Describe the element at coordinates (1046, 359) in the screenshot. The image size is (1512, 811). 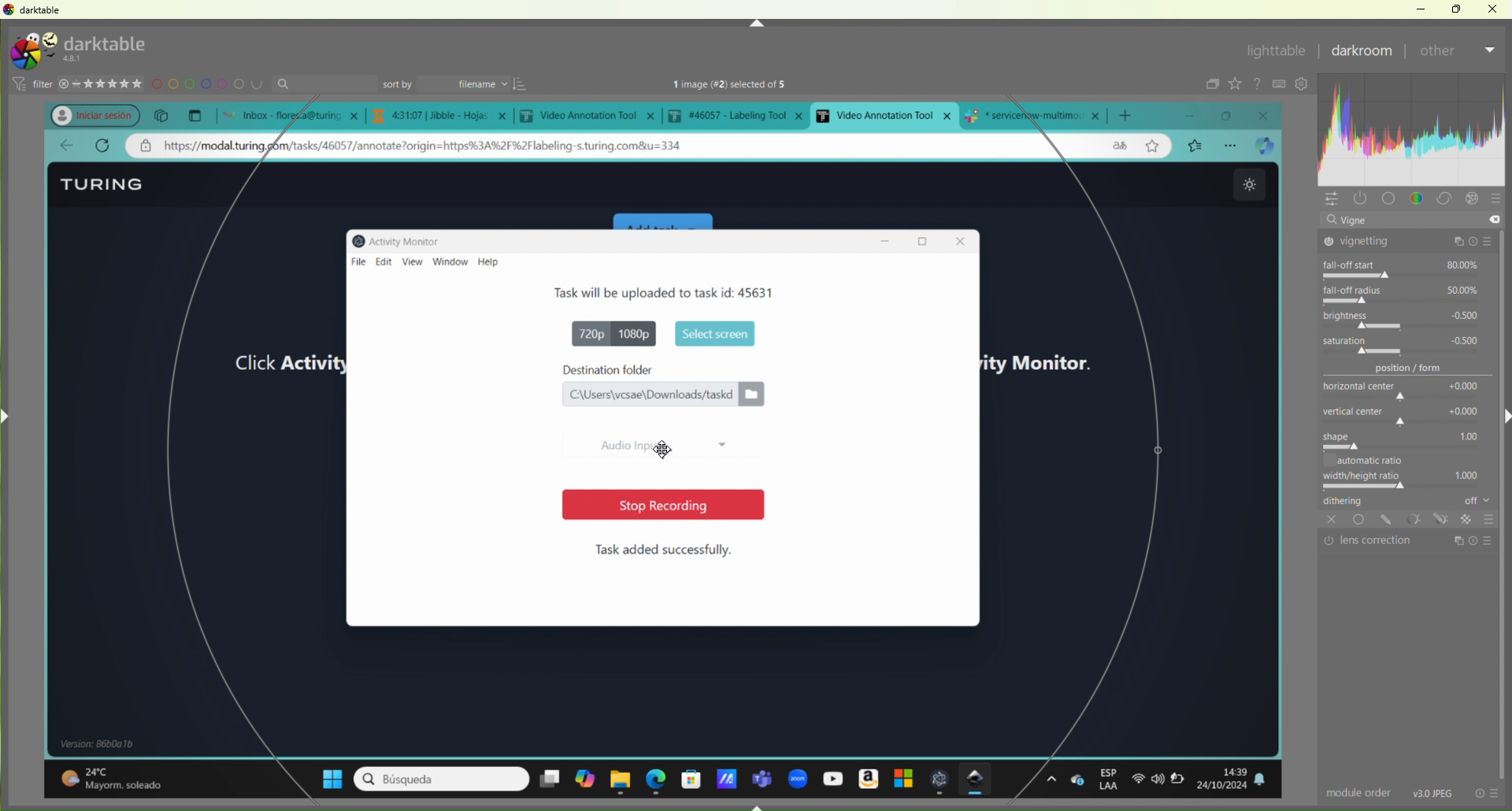
I see `activity monitor` at that location.